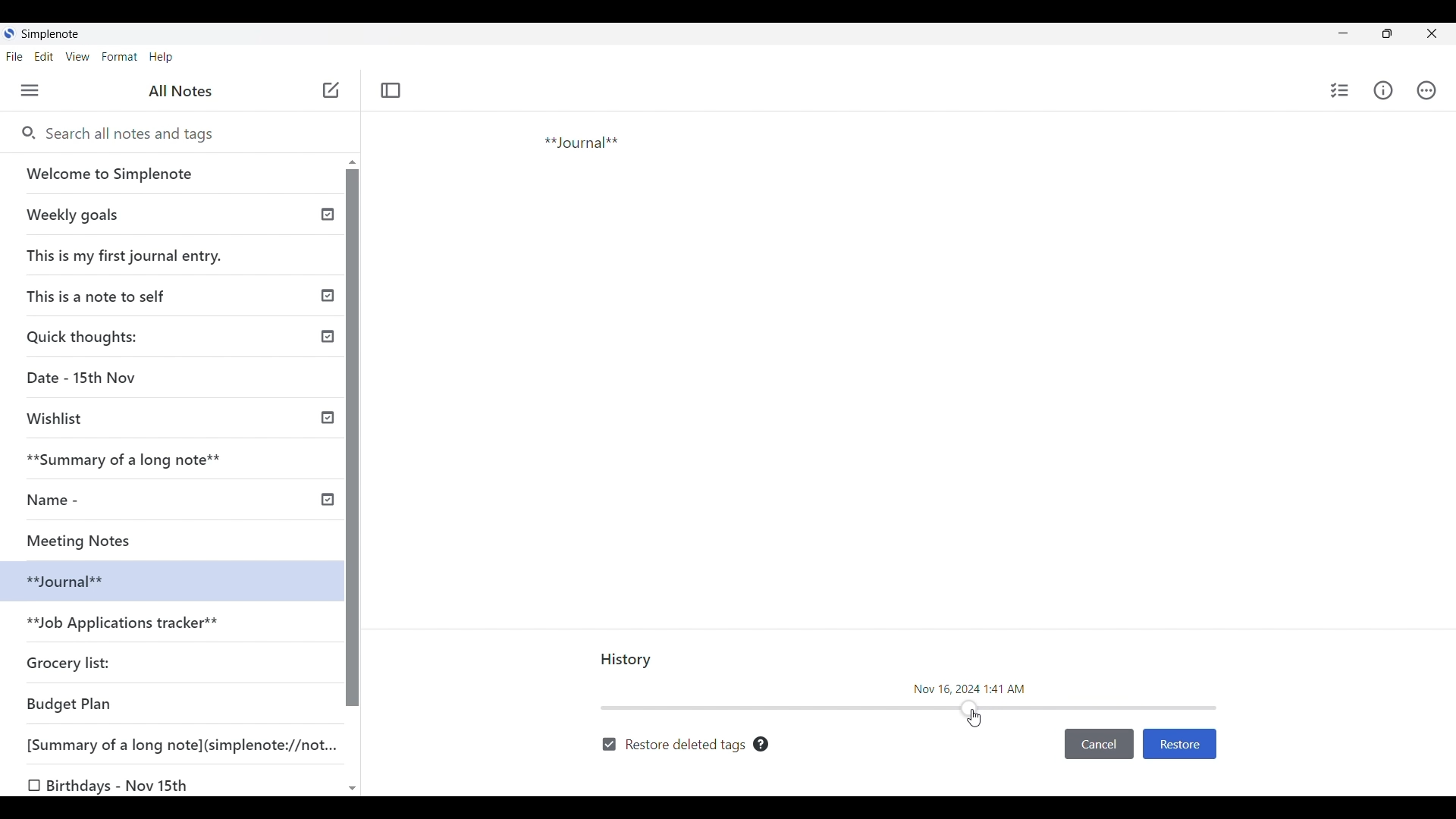 The height and width of the screenshot is (819, 1456). What do you see at coordinates (353, 789) in the screenshot?
I see `Quick slide to bottom` at bounding box center [353, 789].